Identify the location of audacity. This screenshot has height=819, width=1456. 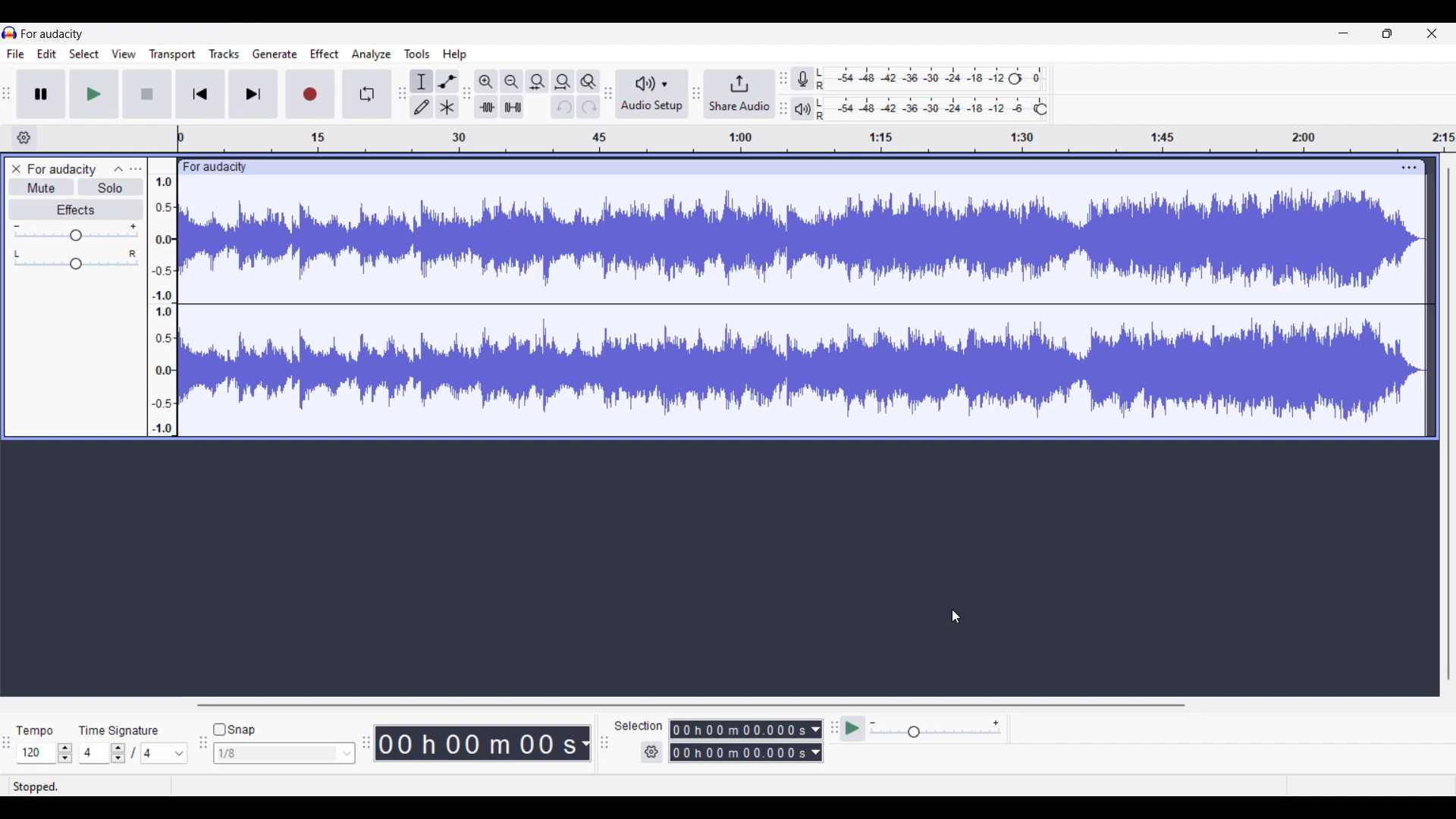
(212, 168).